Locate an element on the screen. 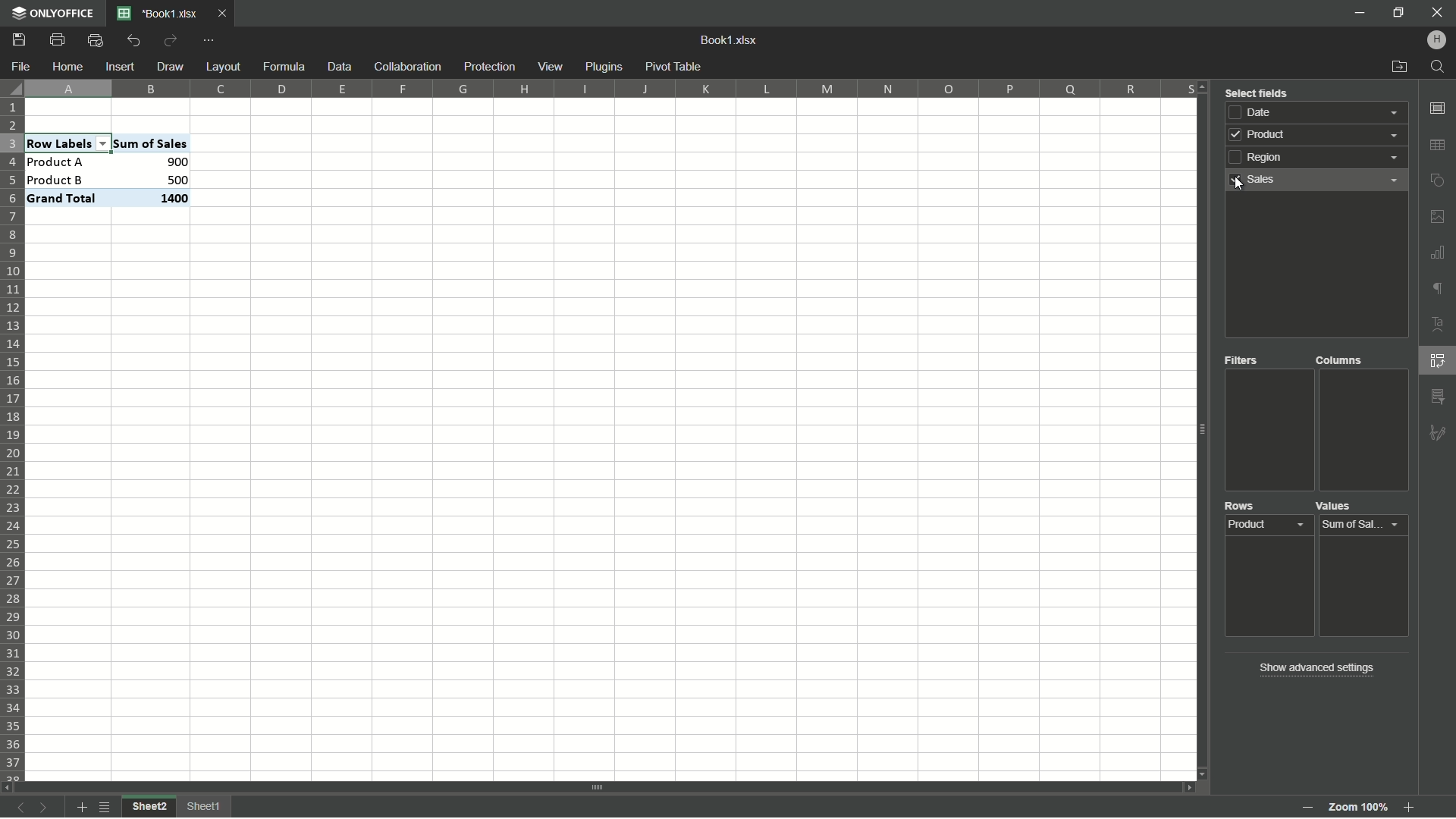 This screenshot has height=819, width=1456. Draw is located at coordinates (170, 65).